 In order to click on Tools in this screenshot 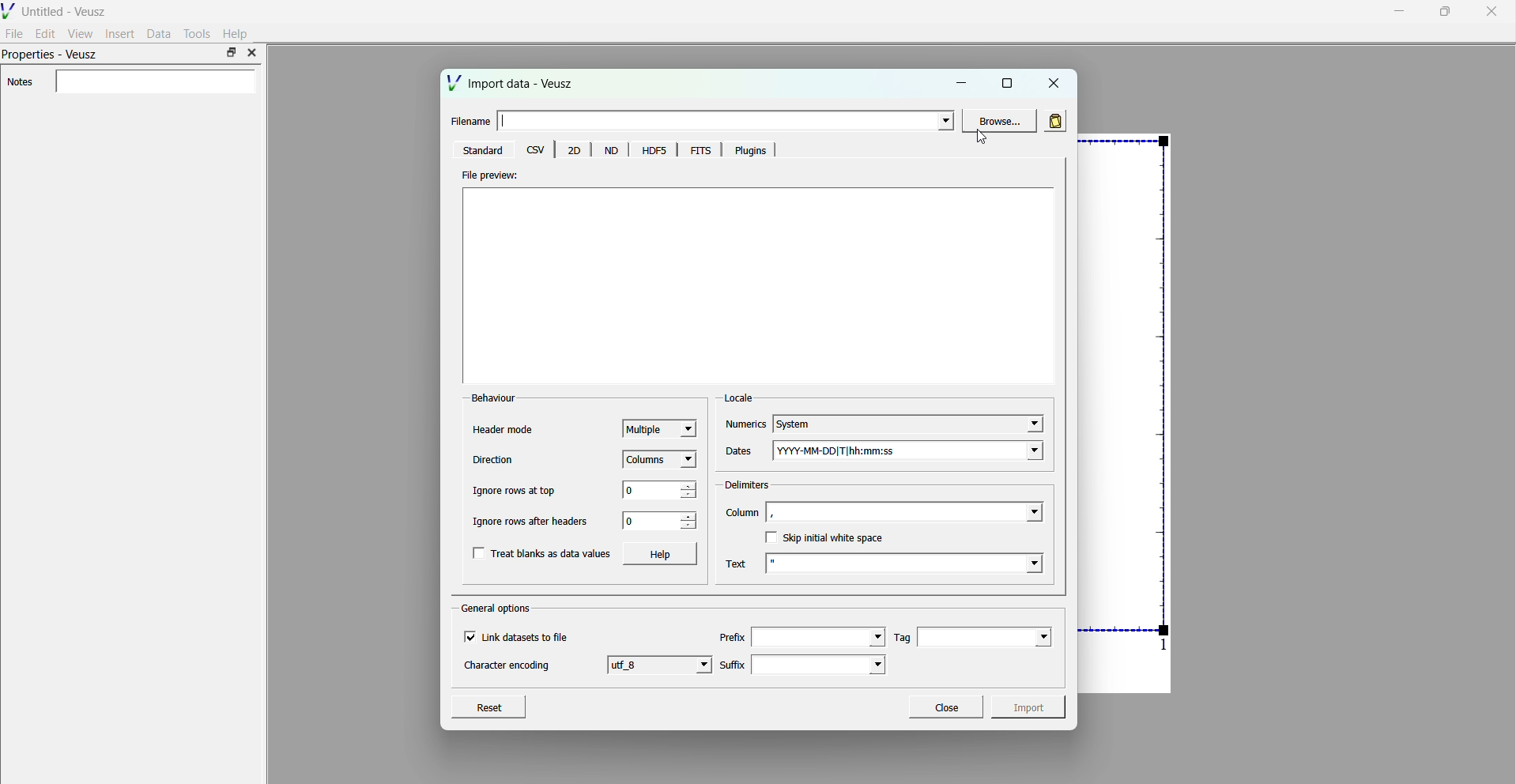, I will do `click(198, 33)`.